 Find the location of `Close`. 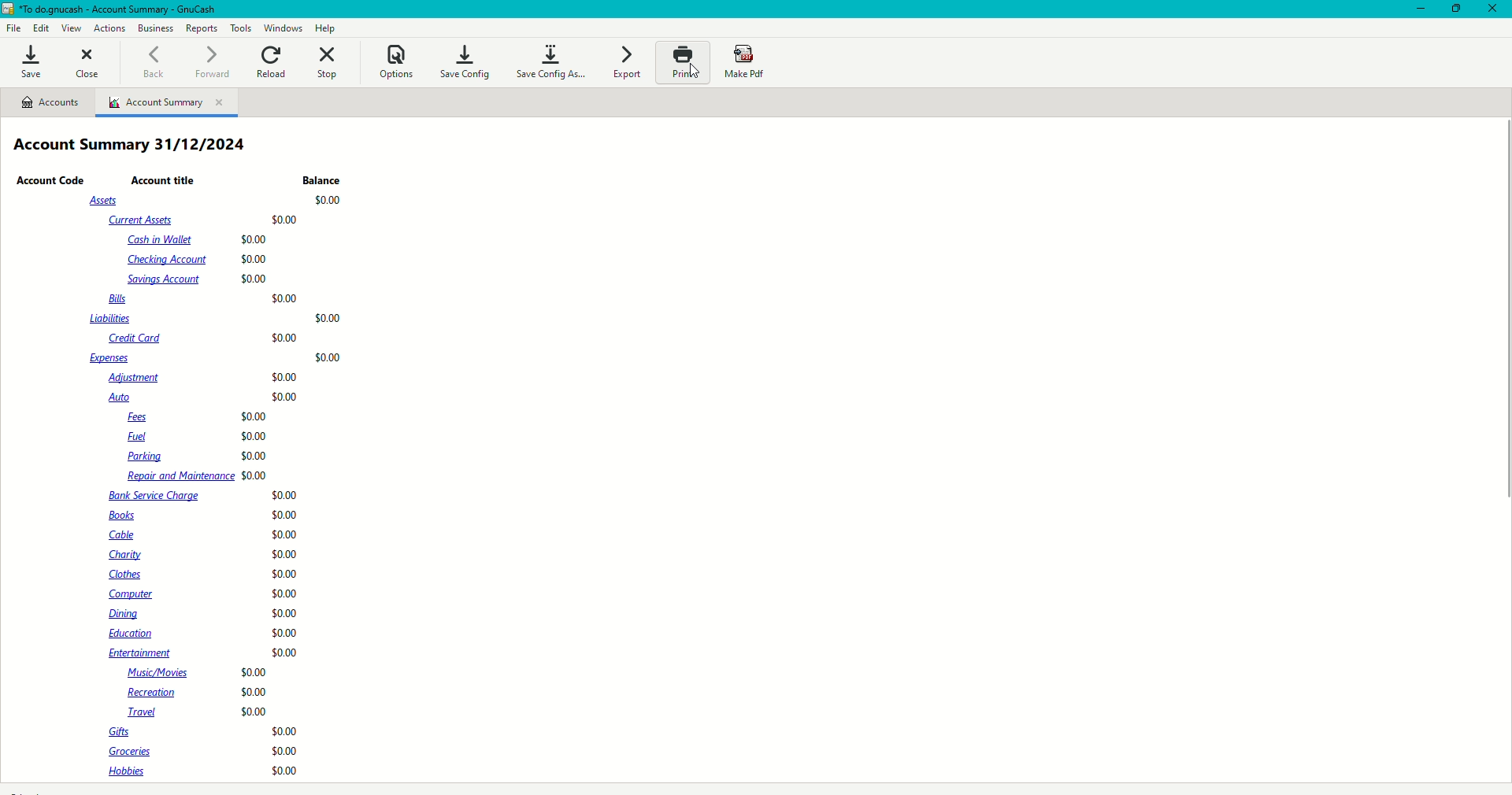

Close is located at coordinates (1493, 10).